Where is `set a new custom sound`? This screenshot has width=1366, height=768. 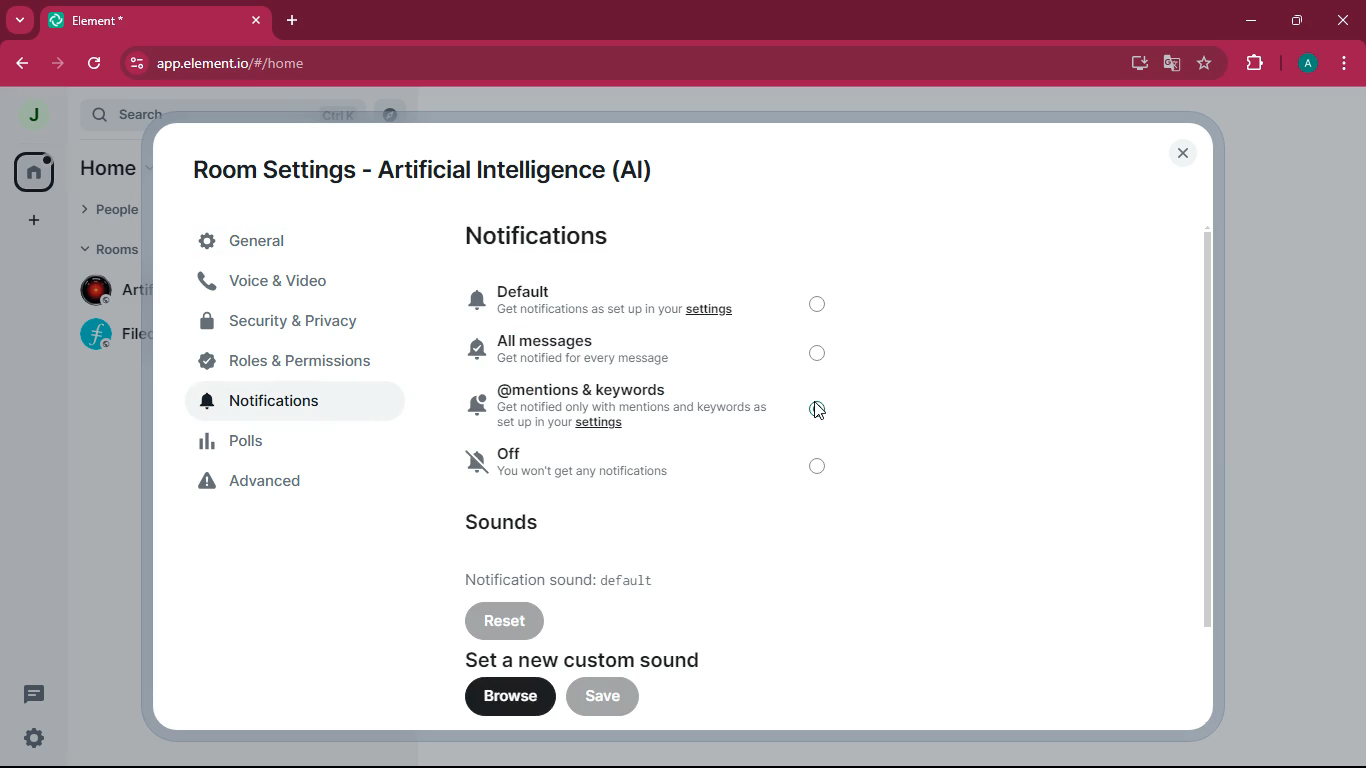
set a new custom sound is located at coordinates (605, 659).